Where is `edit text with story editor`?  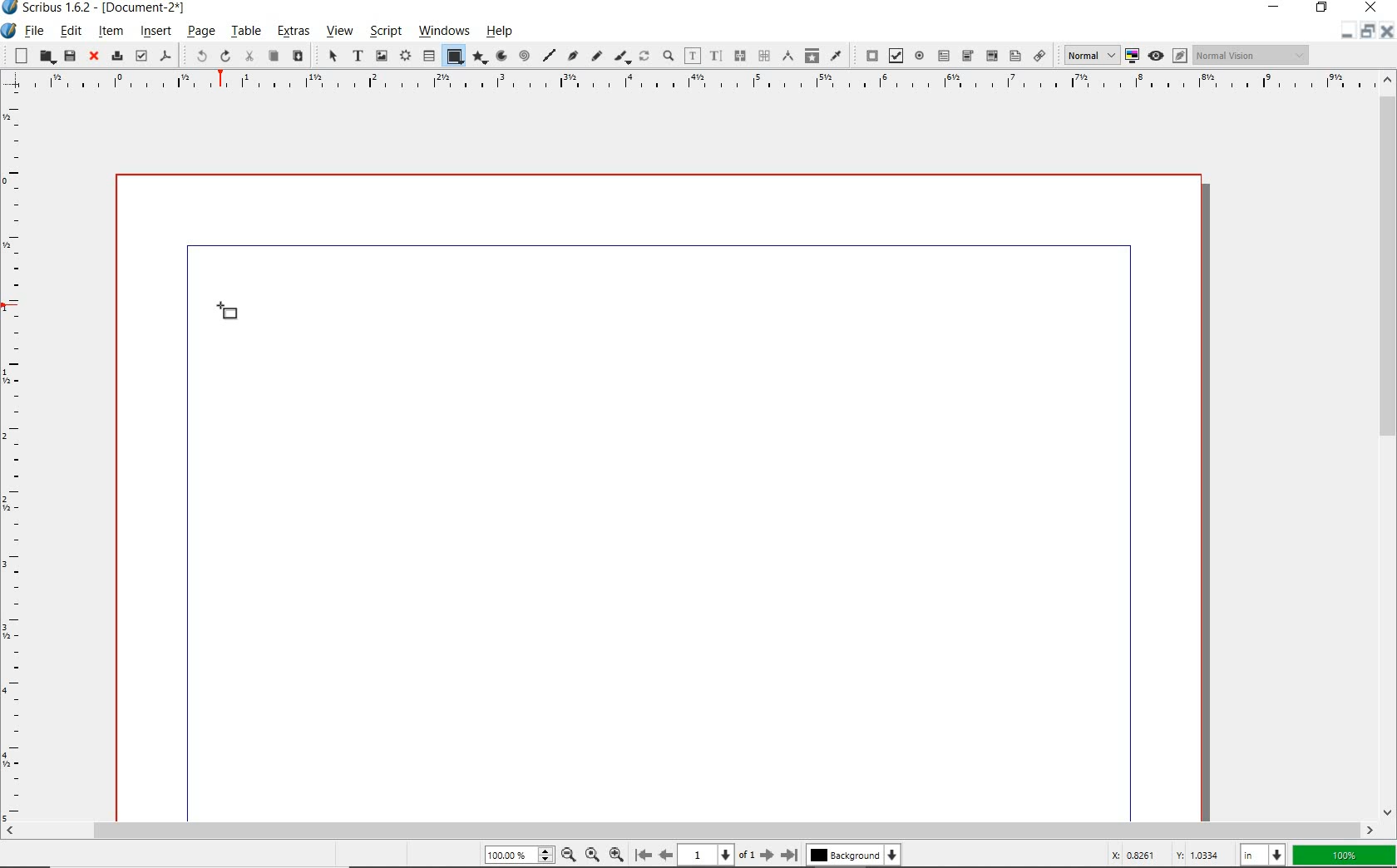 edit text with story editor is located at coordinates (716, 57).